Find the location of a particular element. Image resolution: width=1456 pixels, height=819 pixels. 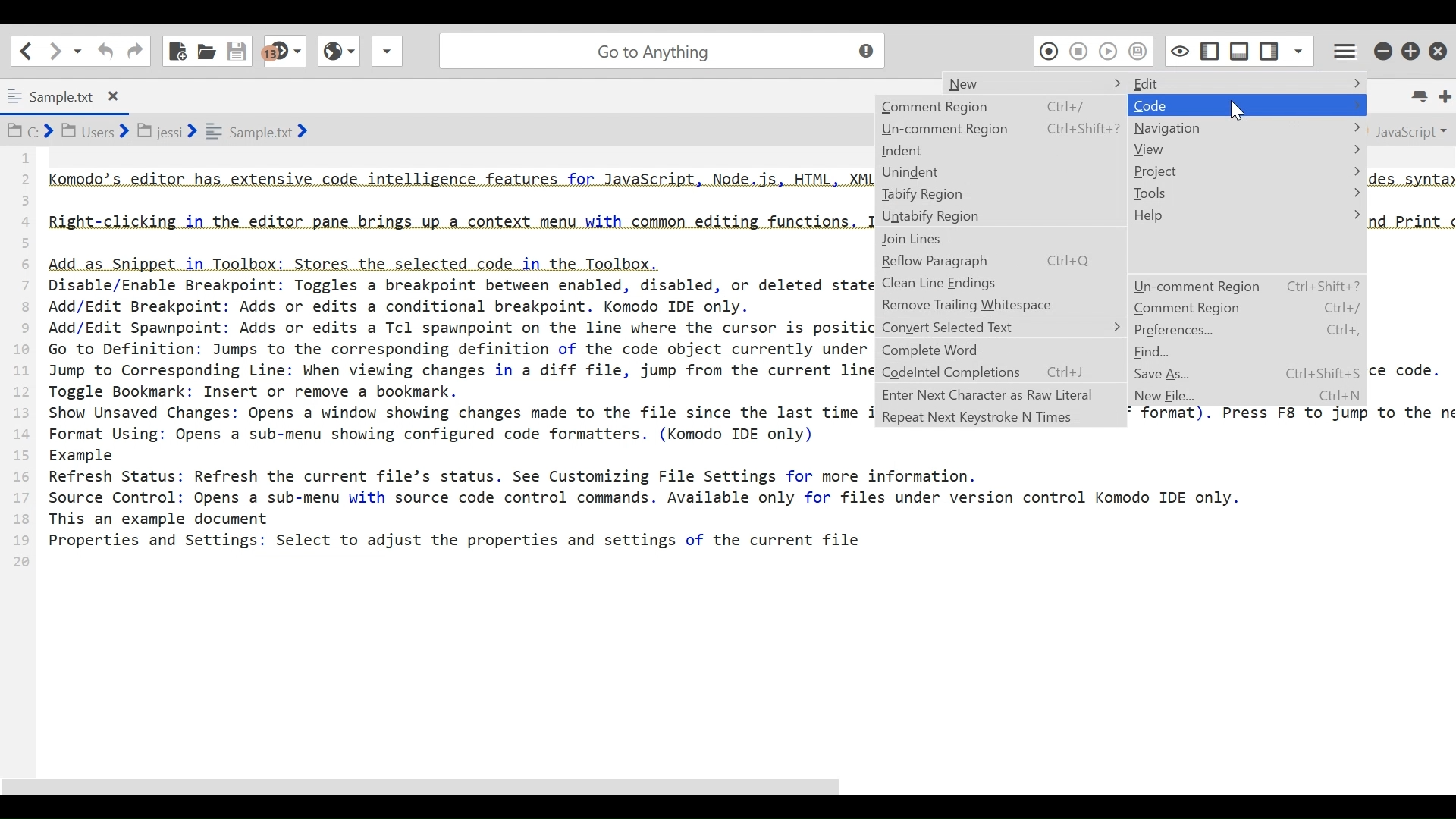

Complete Words is located at coordinates (1000, 350).